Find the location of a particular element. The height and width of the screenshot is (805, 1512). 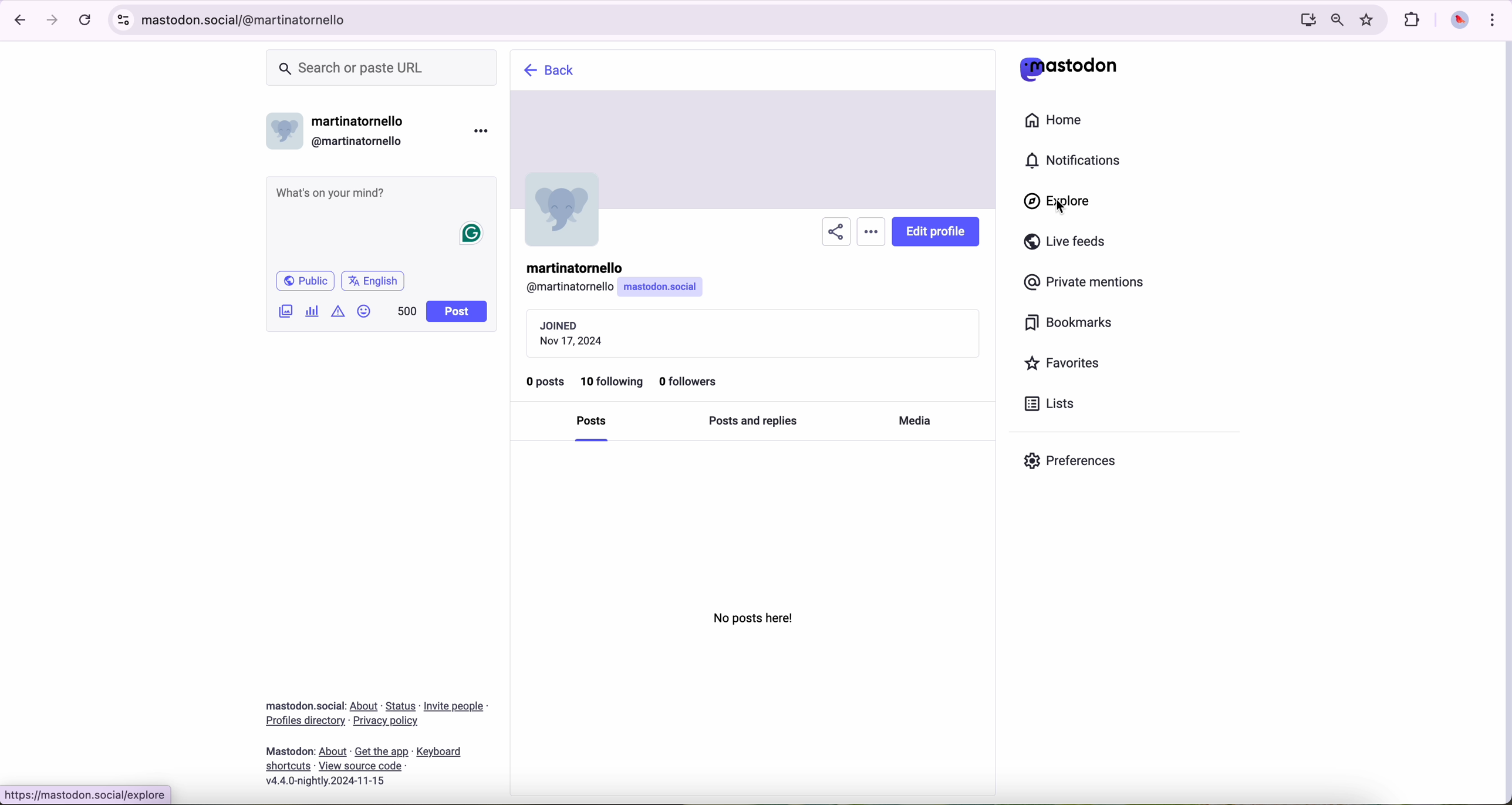

share profile is located at coordinates (837, 233).